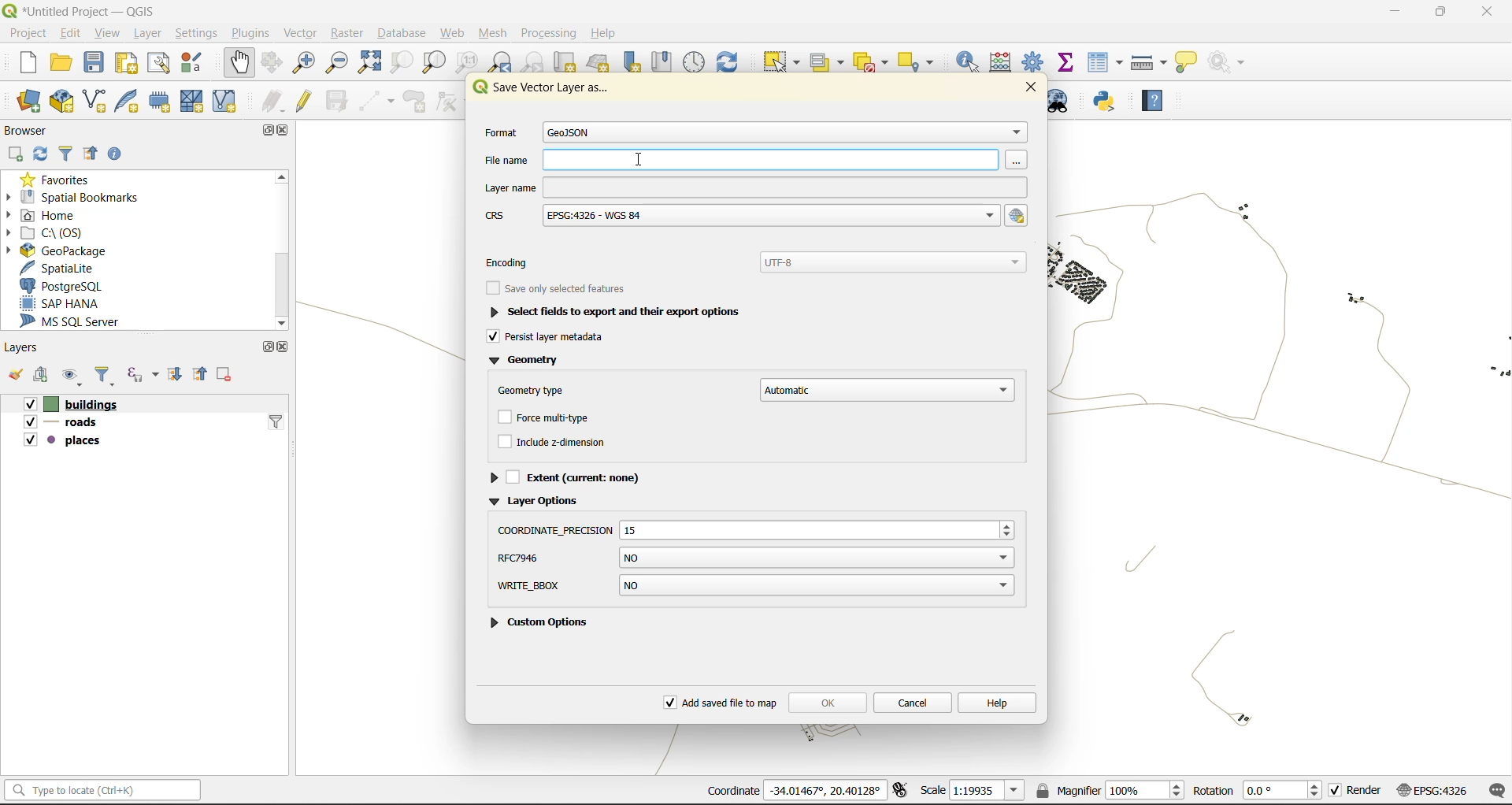 The image size is (1512, 805). What do you see at coordinates (203, 374) in the screenshot?
I see `collapse all` at bounding box center [203, 374].